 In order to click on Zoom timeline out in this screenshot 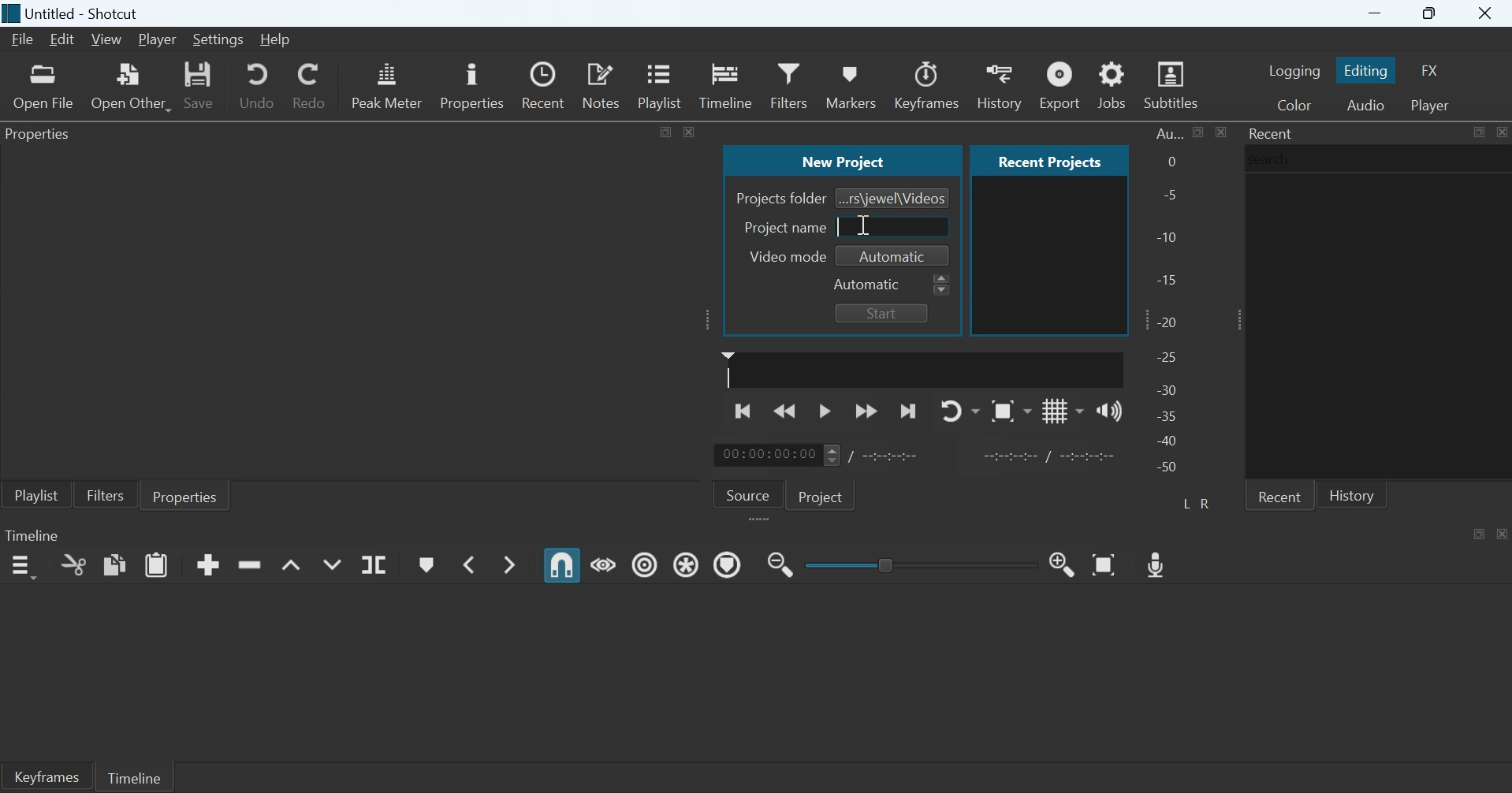, I will do `click(1063, 564)`.